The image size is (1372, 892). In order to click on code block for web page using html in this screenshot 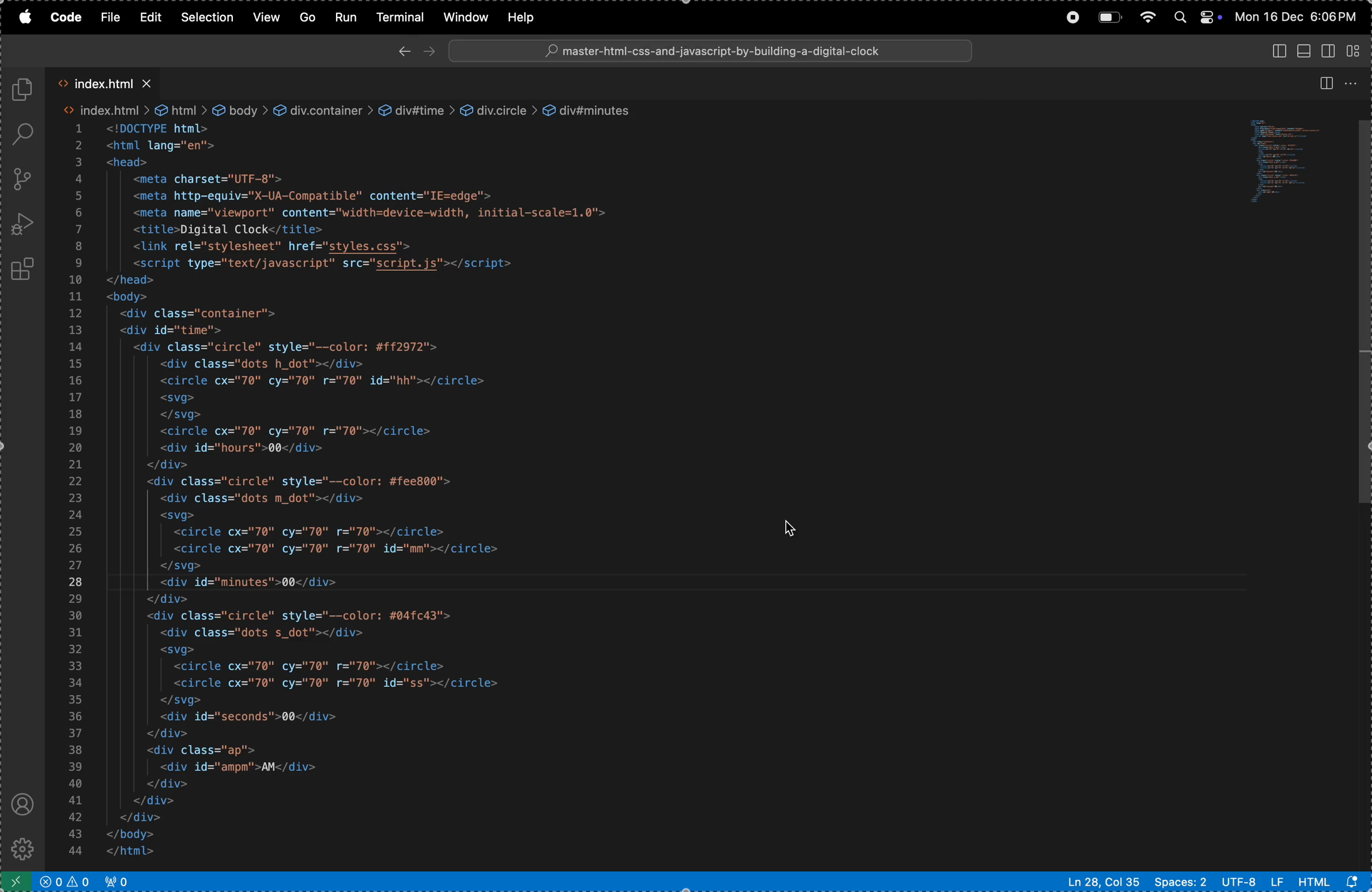, I will do `click(414, 482)`.